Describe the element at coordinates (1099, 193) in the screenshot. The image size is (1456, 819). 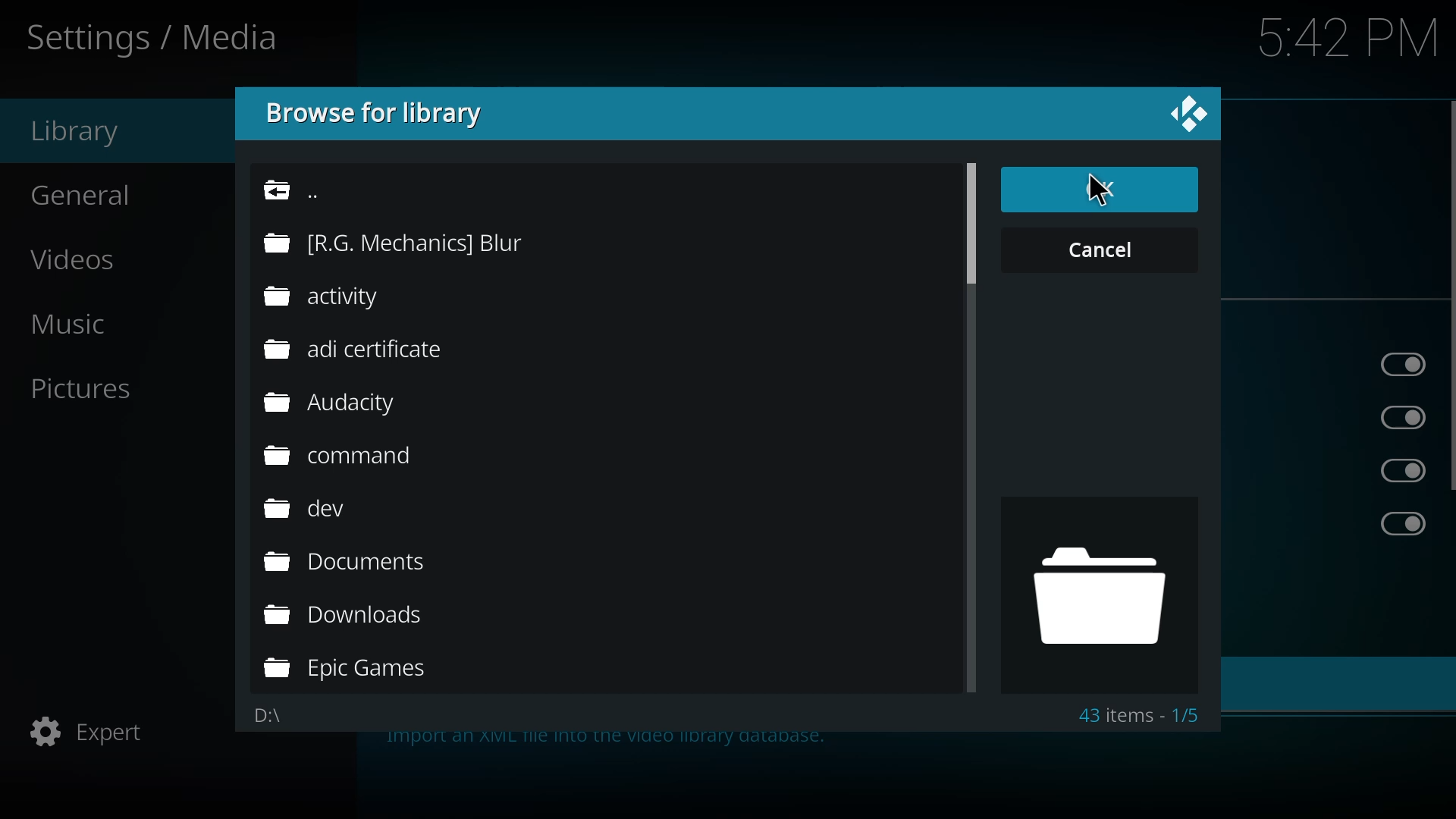
I see `cursor` at that location.